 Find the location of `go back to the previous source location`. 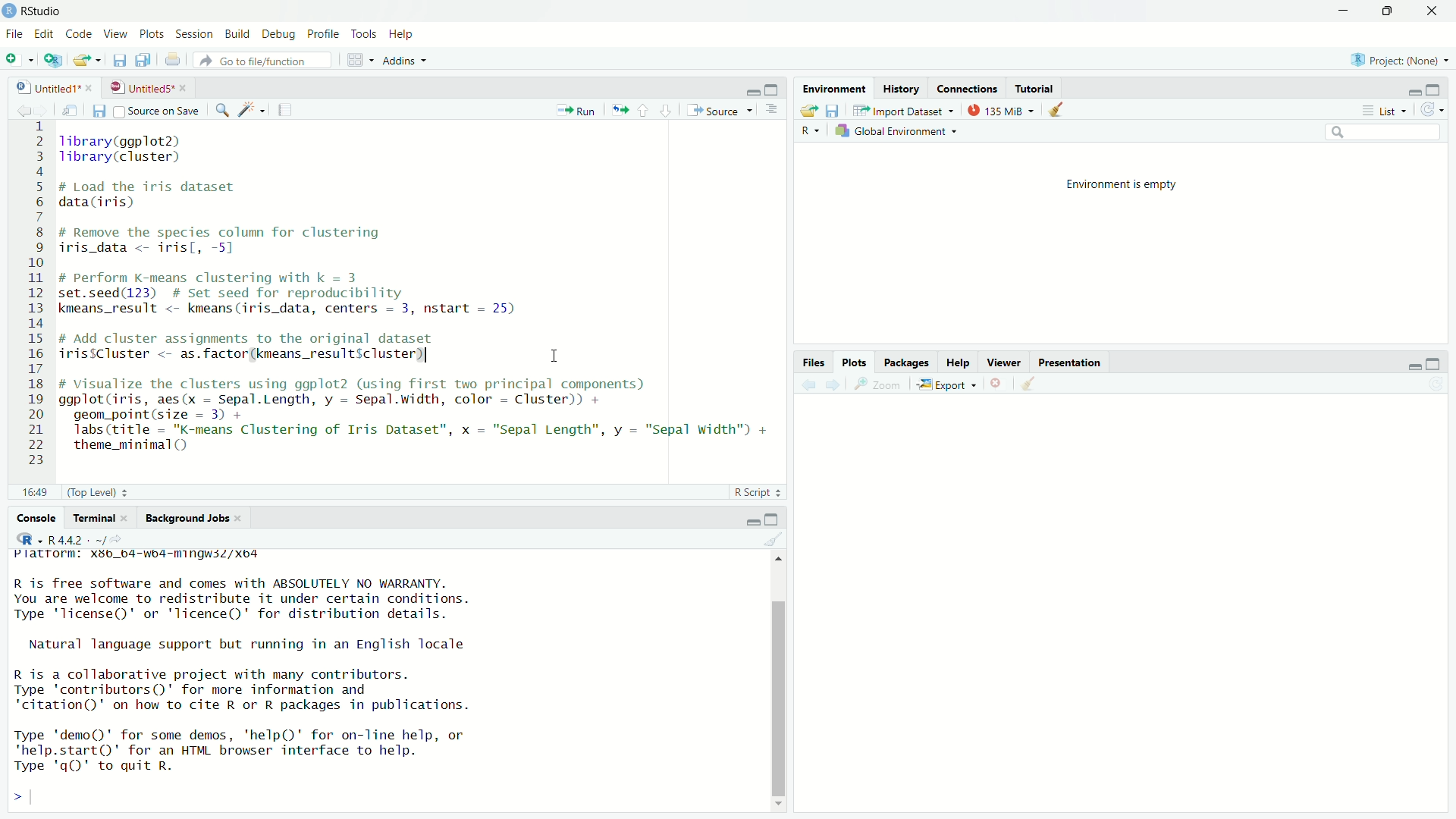

go back to the previous source location is located at coordinates (15, 108).